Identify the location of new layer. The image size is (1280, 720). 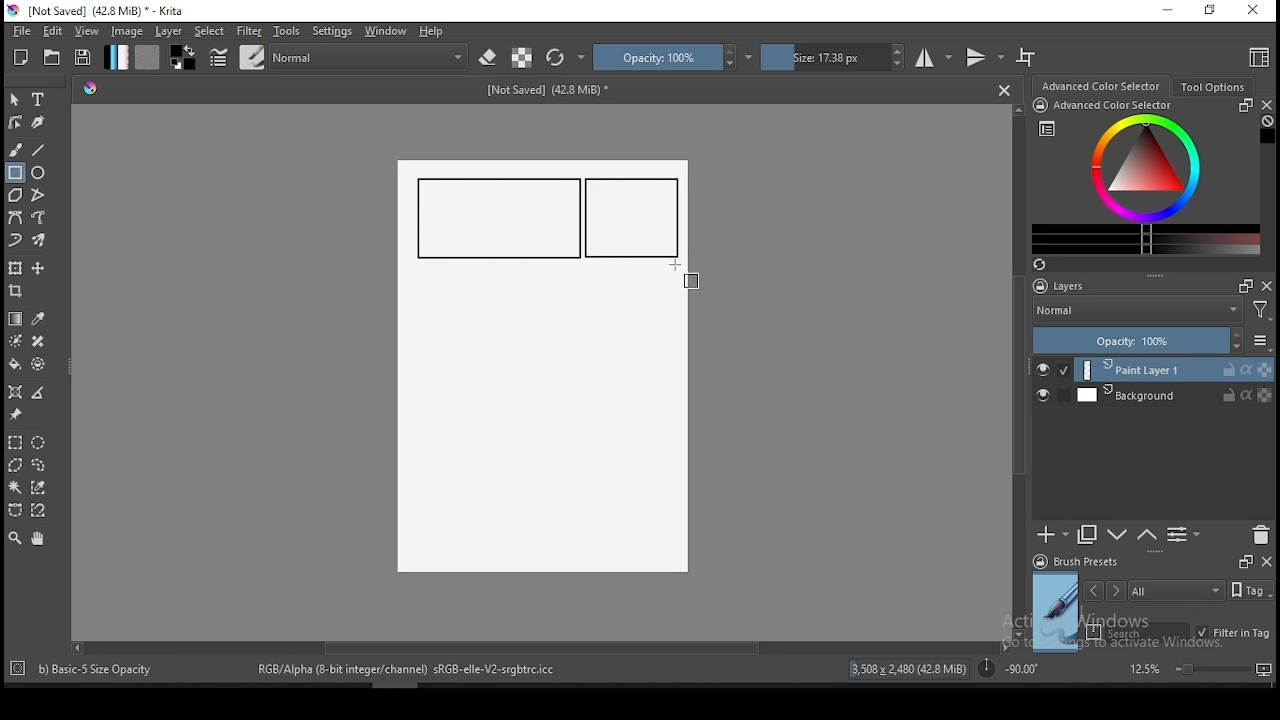
(1053, 534).